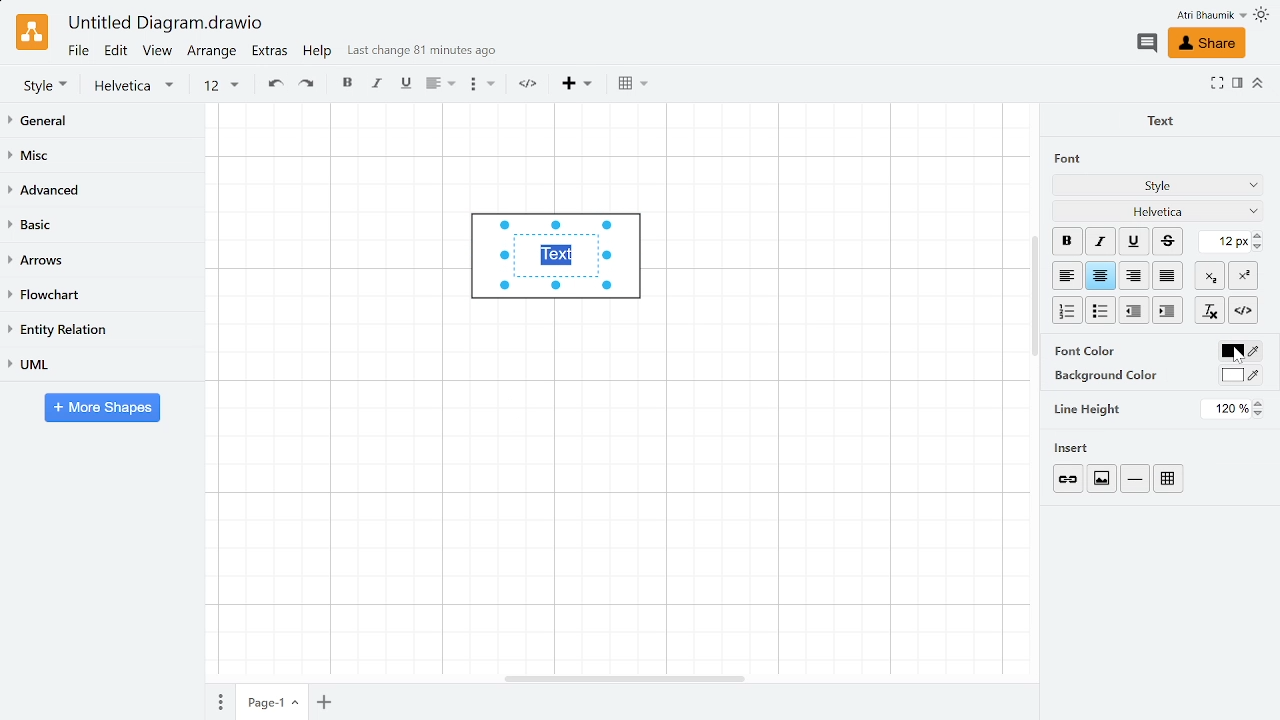  I want to click on basic, so click(102, 226).